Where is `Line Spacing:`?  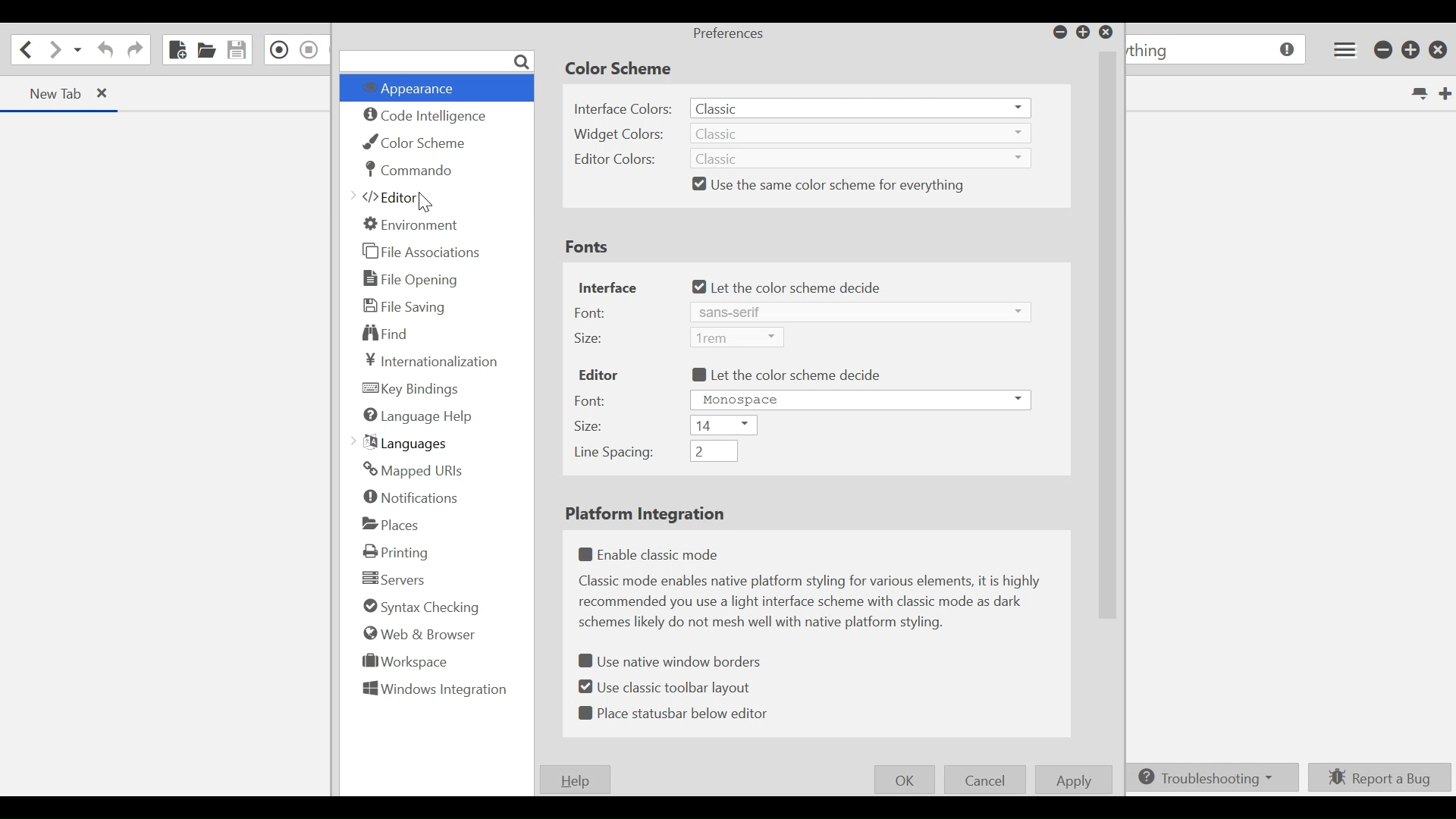
Line Spacing: is located at coordinates (615, 453).